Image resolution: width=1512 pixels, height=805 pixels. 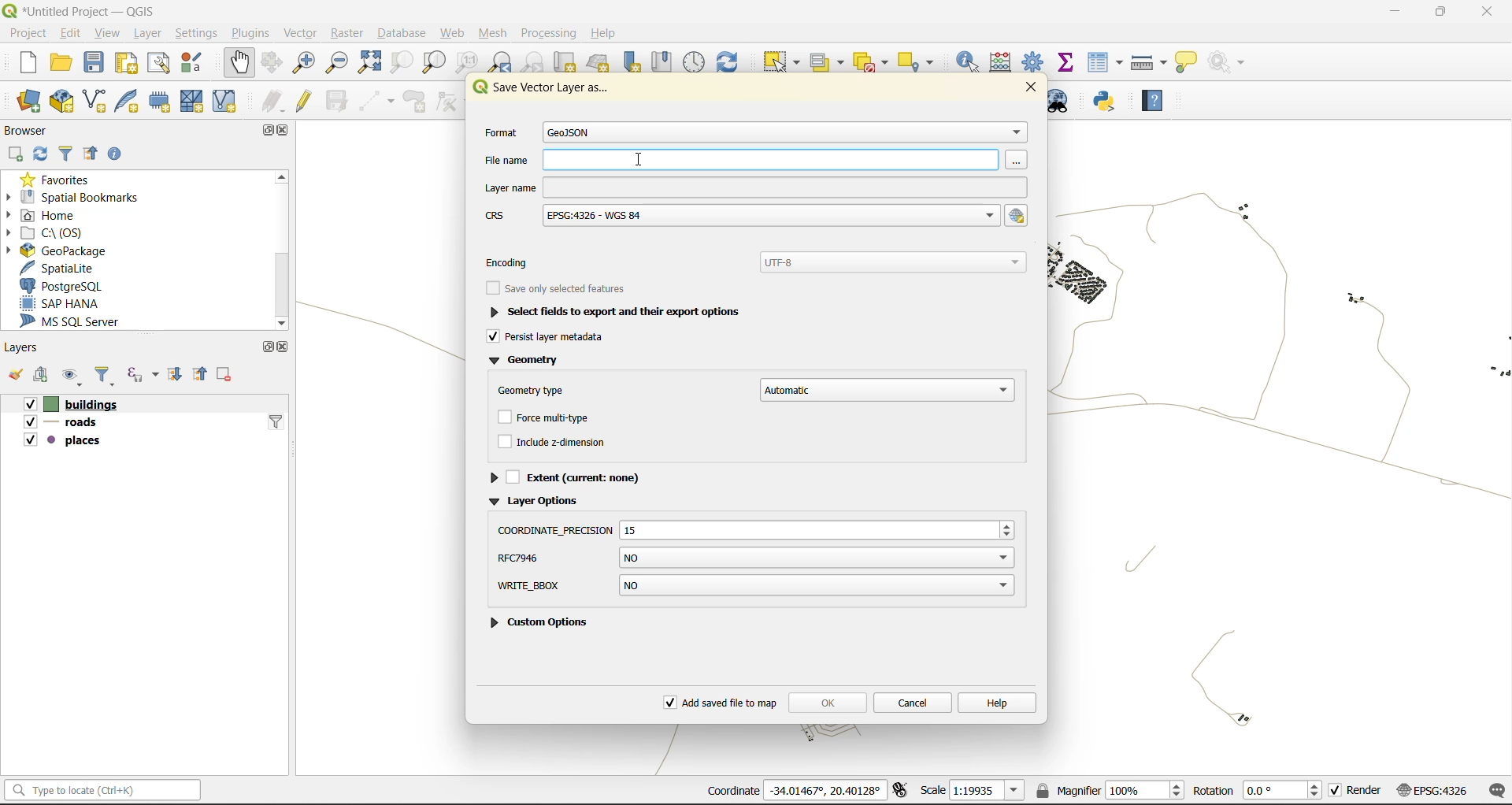 What do you see at coordinates (566, 61) in the screenshot?
I see `cut` at bounding box center [566, 61].